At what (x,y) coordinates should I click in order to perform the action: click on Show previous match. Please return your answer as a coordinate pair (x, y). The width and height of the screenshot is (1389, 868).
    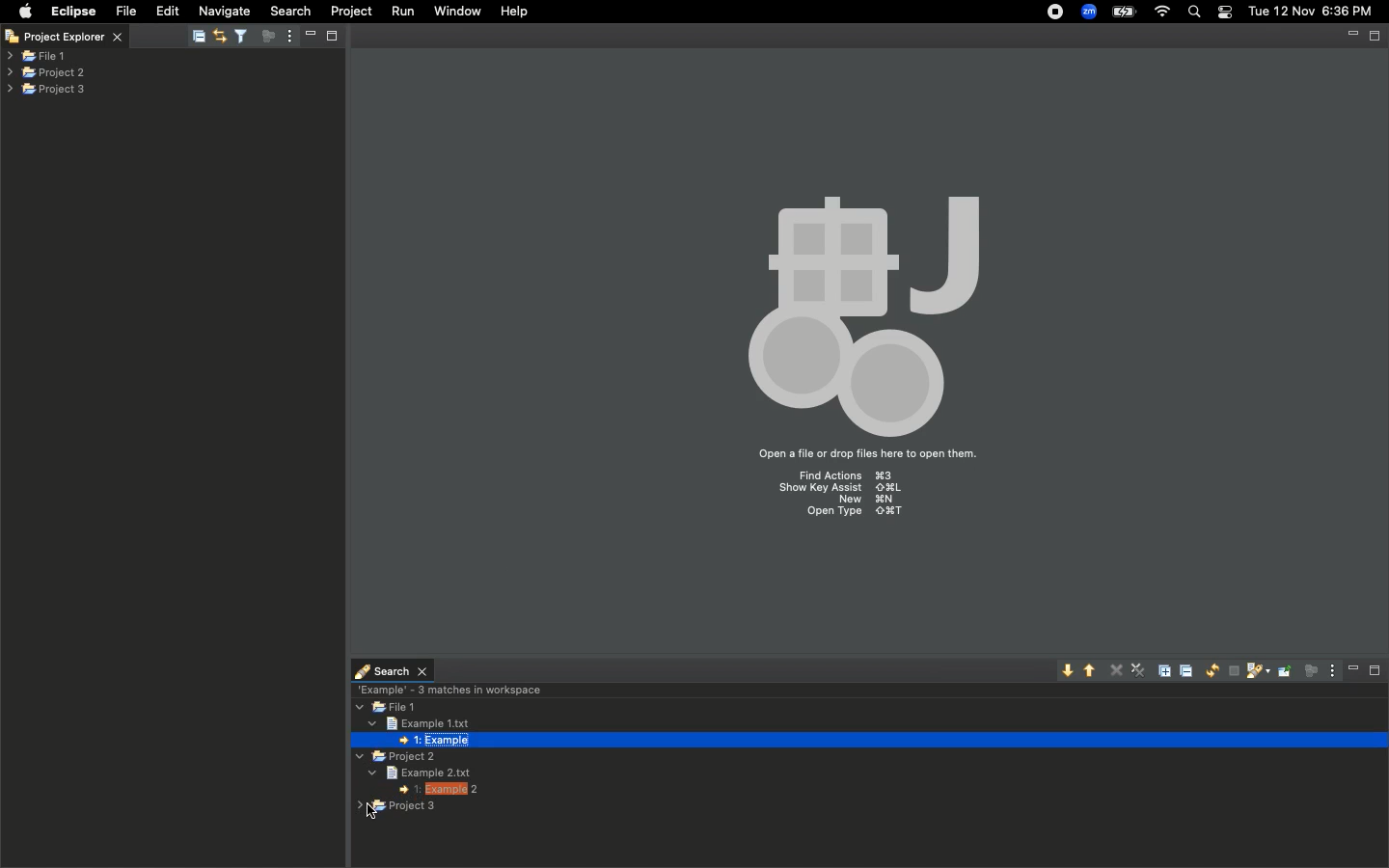
    Looking at the image, I should click on (1093, 669).